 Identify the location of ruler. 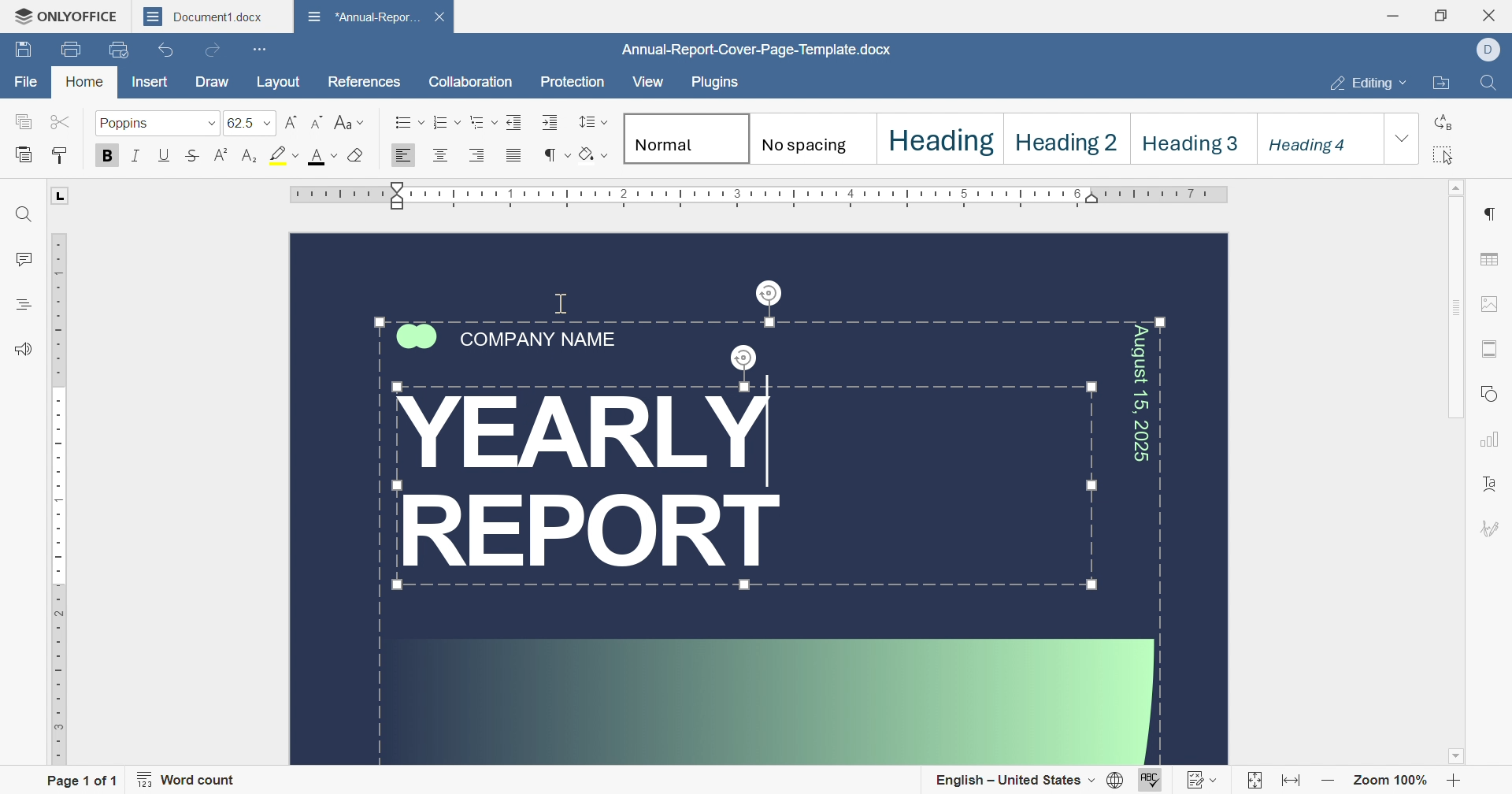
(765, 194).